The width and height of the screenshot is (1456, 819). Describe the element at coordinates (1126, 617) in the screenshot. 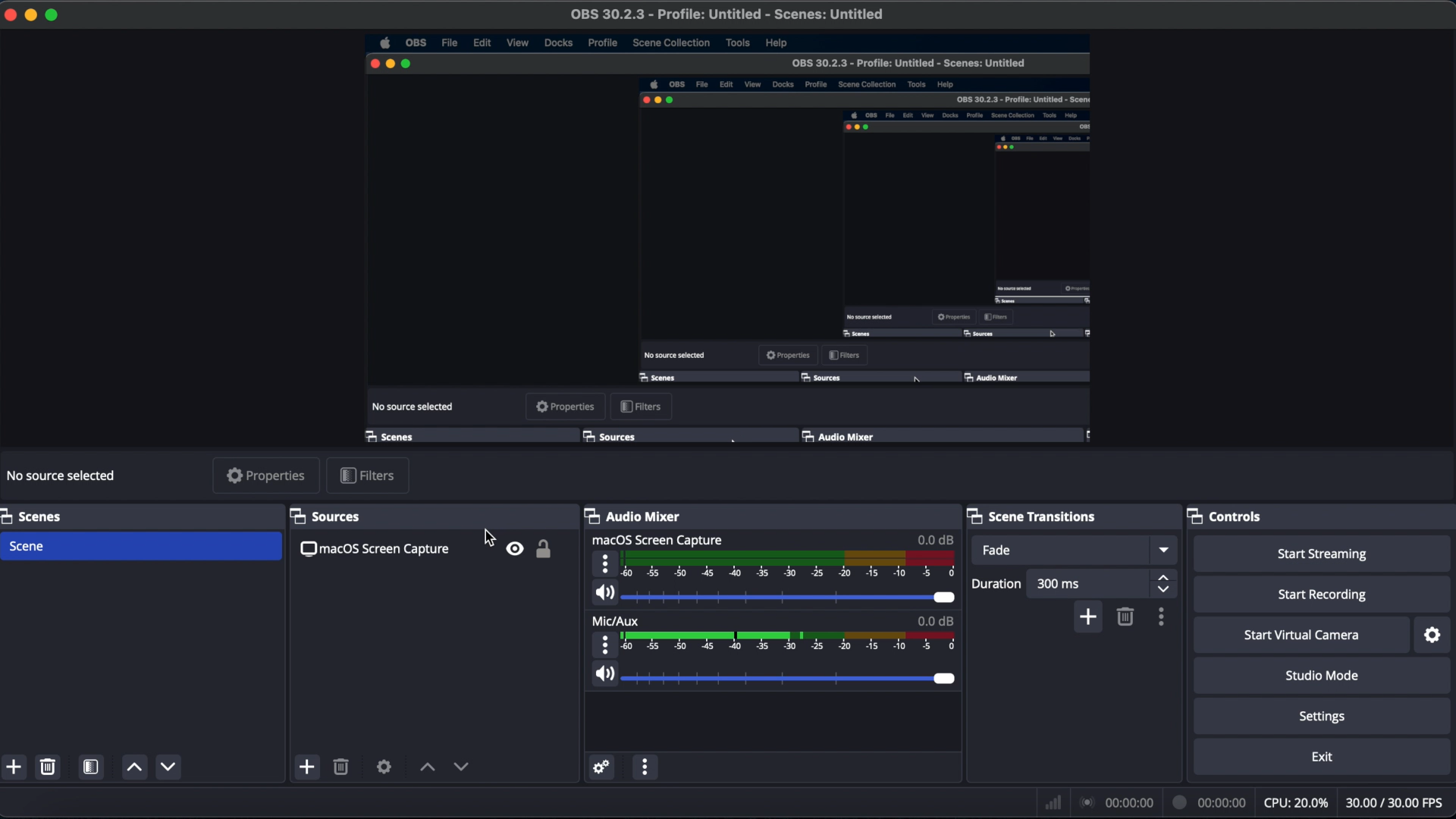

I see `remove configurable transition` at that location.